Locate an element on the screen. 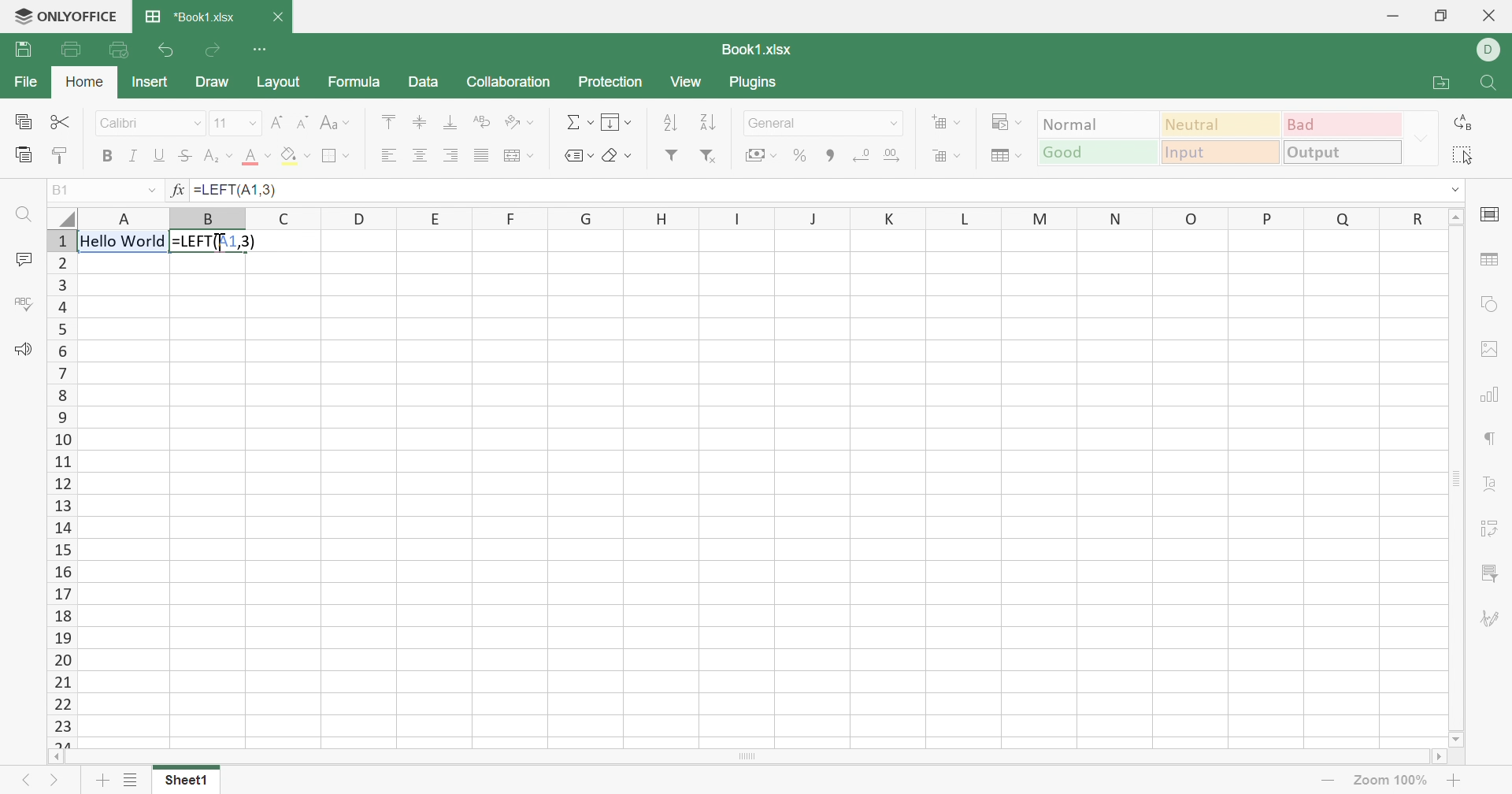  Align right is located at coordinates (452, 157).